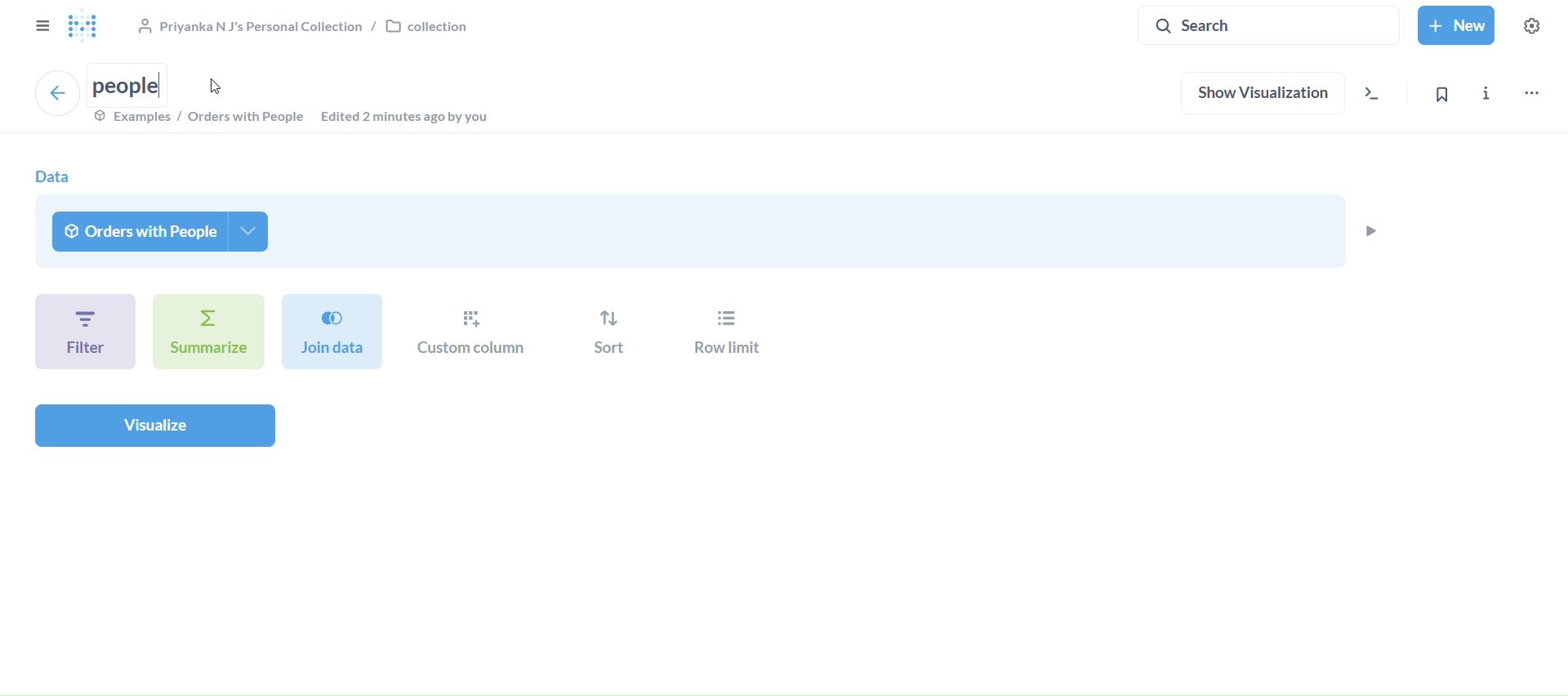 Image resolution: width=1568 pixels, height=696 pixels. What do you see at coordinates (1490, 97) in the screenshot?
I see `info` at bounding box center [1490, 97].